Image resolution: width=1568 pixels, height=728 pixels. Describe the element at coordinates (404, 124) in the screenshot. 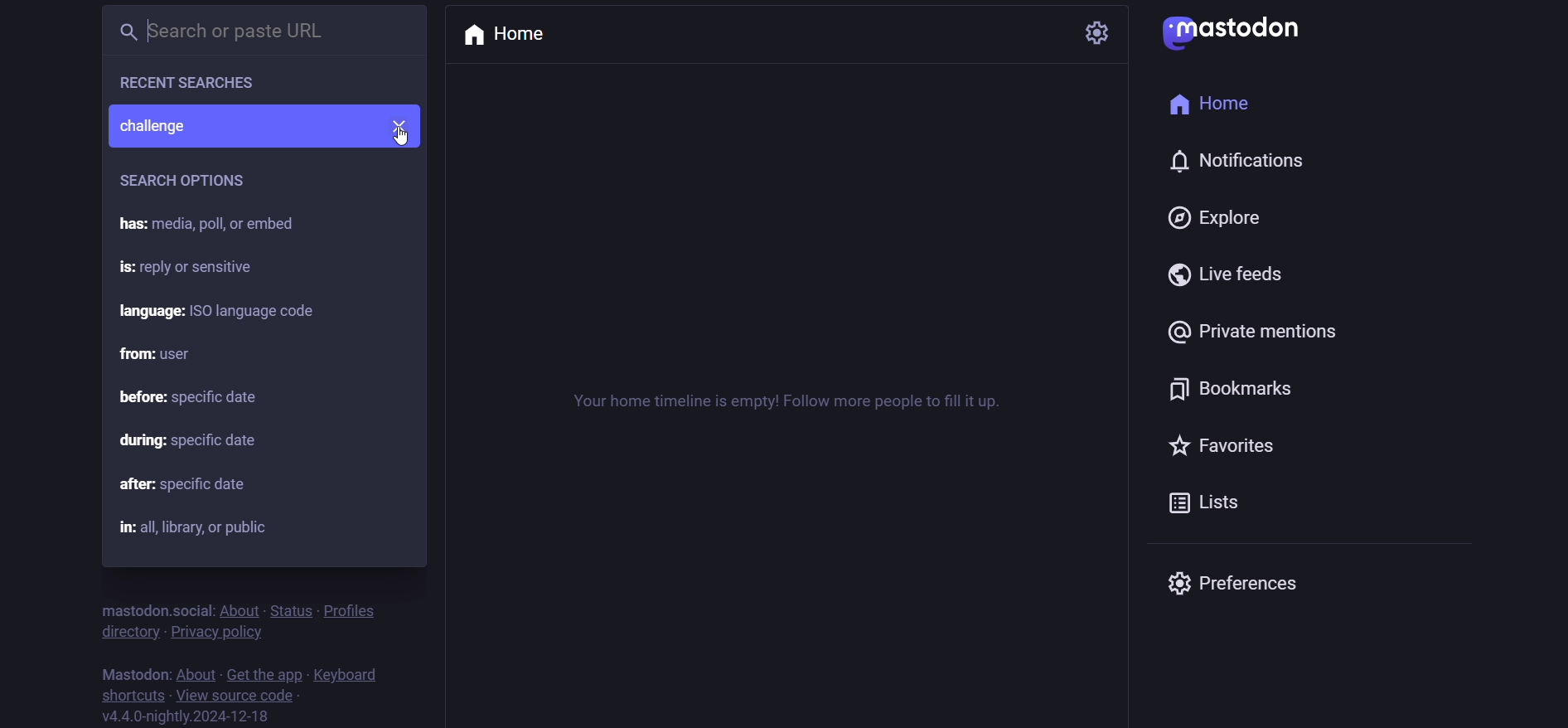

I see `close` at that location.